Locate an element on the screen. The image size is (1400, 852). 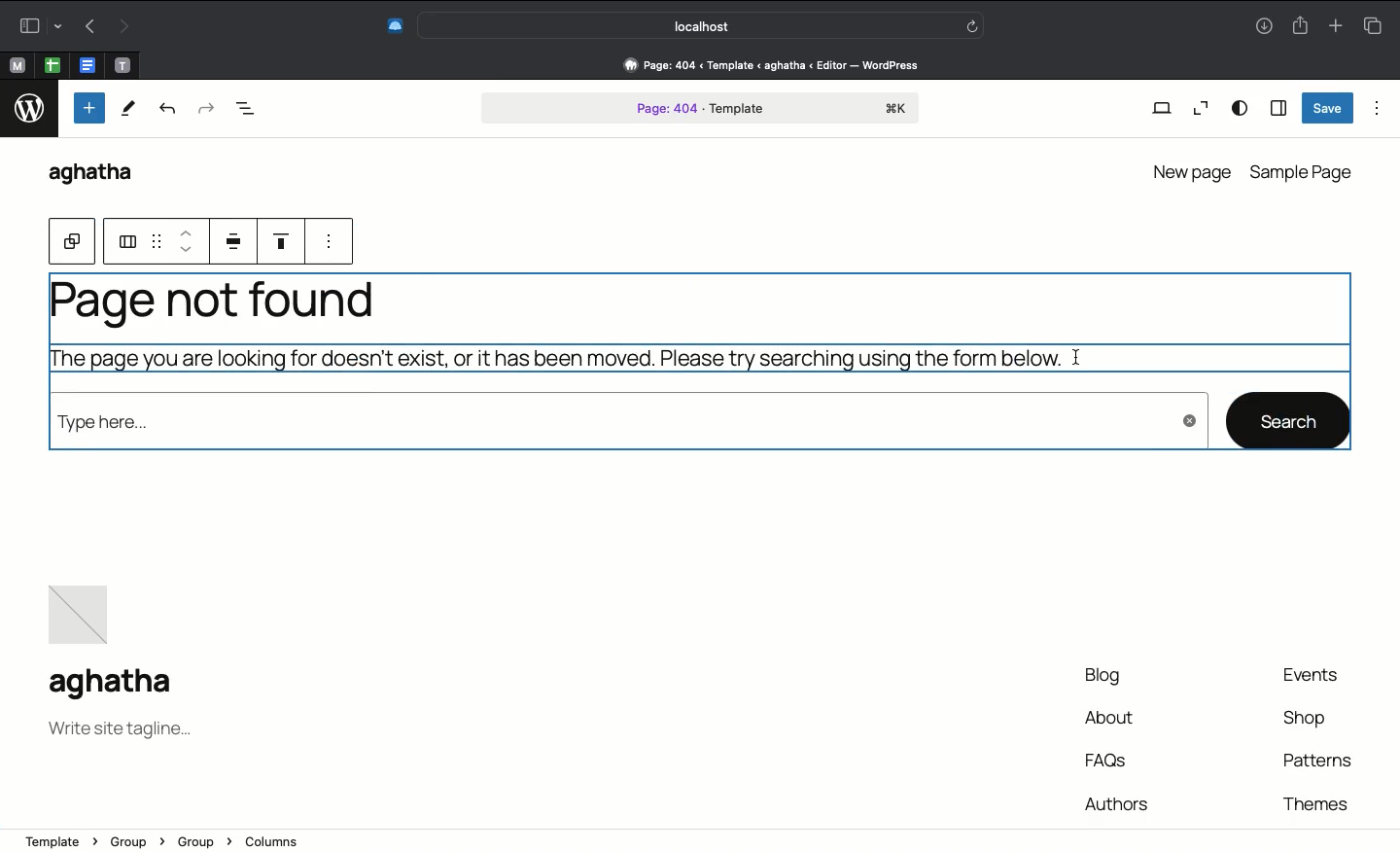
Search bar is located at coordinates (703, 24).